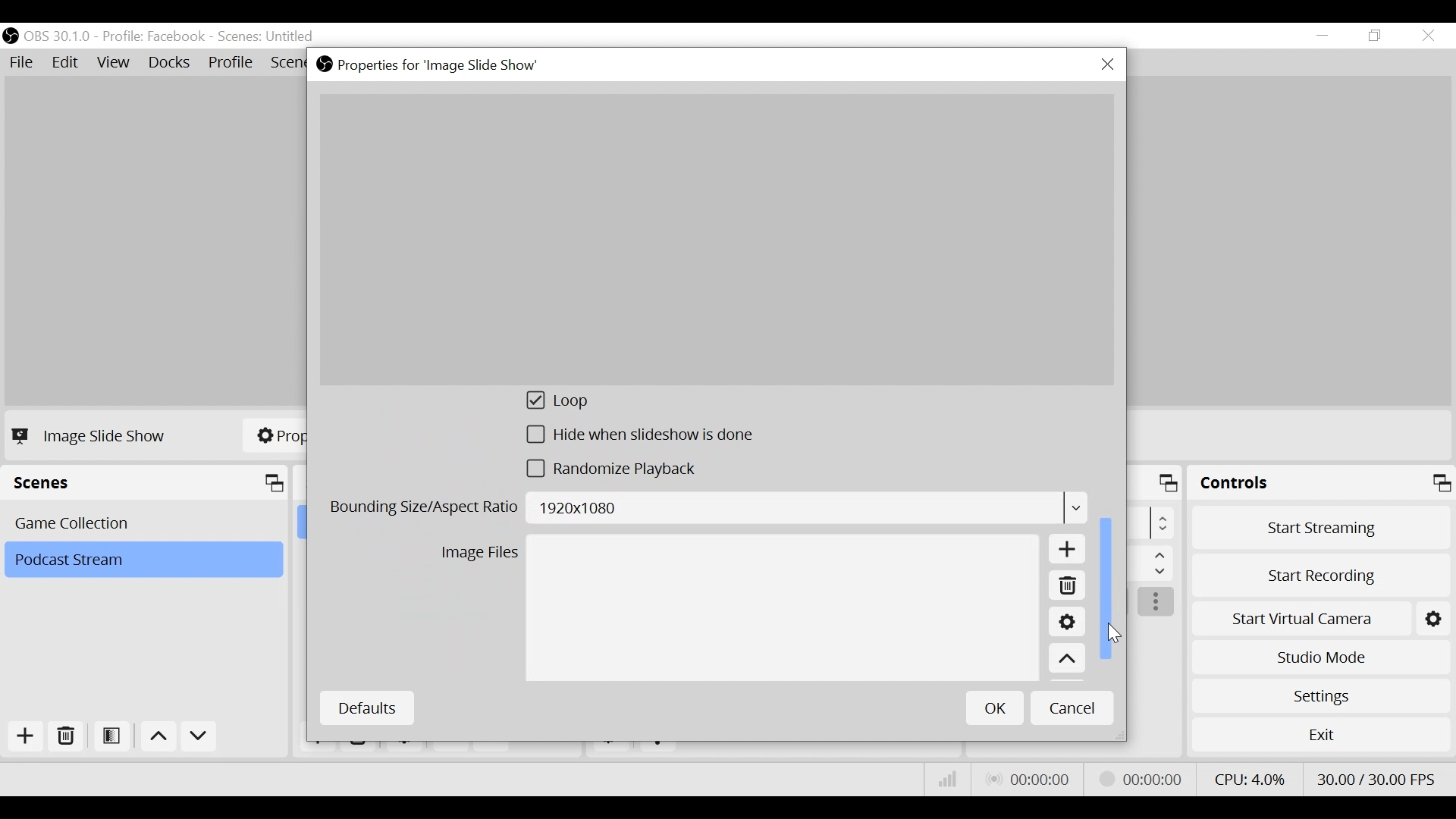 The height and width of the screenshot is (819, 1456). What do you see at coordinates (1072, 707) in the screenshot?
I see `Cancel` at bounding box center [1072, 707].